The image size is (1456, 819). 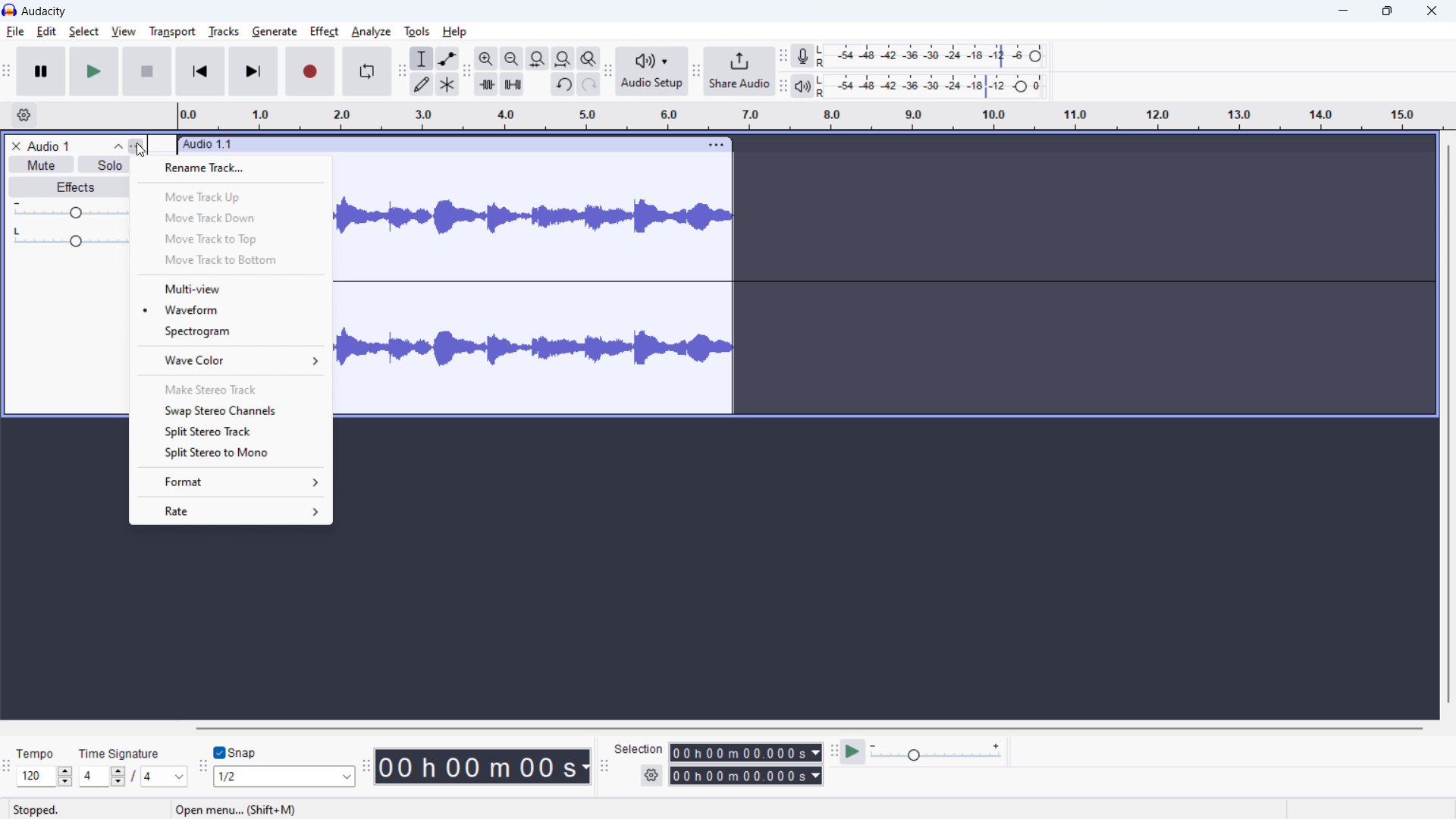 What do you see at coordinates (513, 84) in the screenshot?
I see `silence audio selection` at bounding box center [513, 84].